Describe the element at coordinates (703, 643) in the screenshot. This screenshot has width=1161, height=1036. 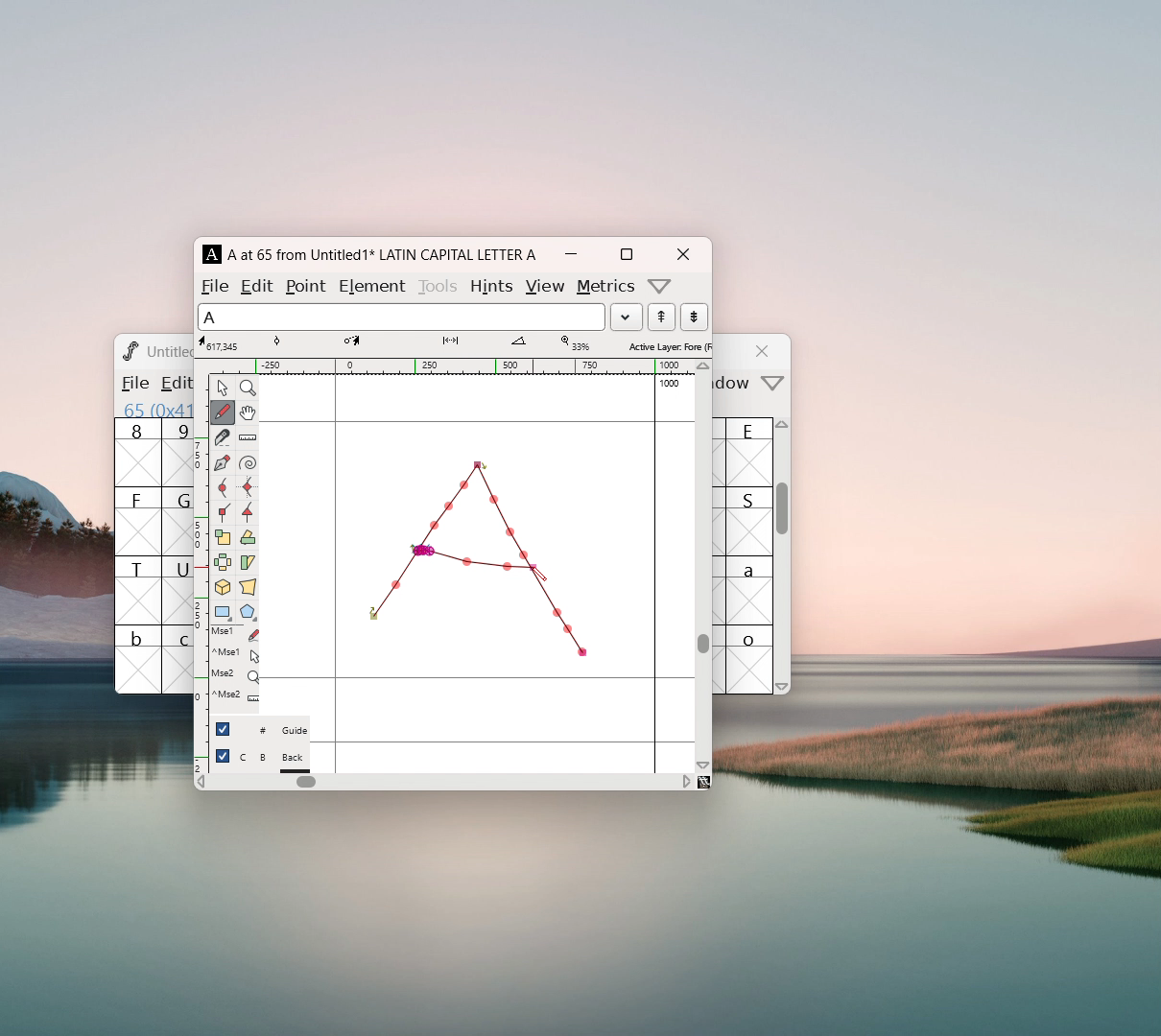
I see `scrollbar` at that location.